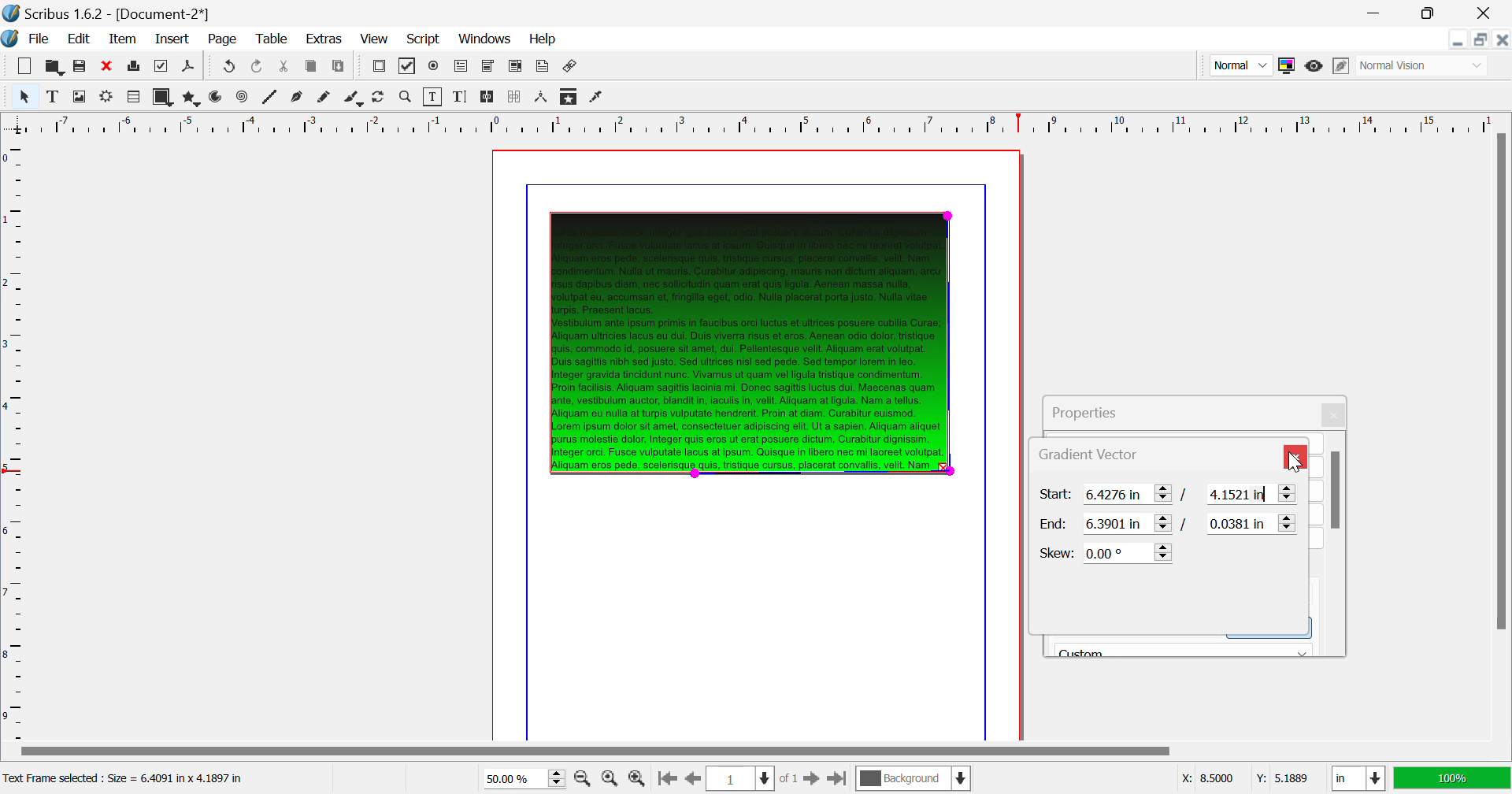 The width and height of the screenshot is (1512, 794). I want to click on Properties, so click(1102, 410).